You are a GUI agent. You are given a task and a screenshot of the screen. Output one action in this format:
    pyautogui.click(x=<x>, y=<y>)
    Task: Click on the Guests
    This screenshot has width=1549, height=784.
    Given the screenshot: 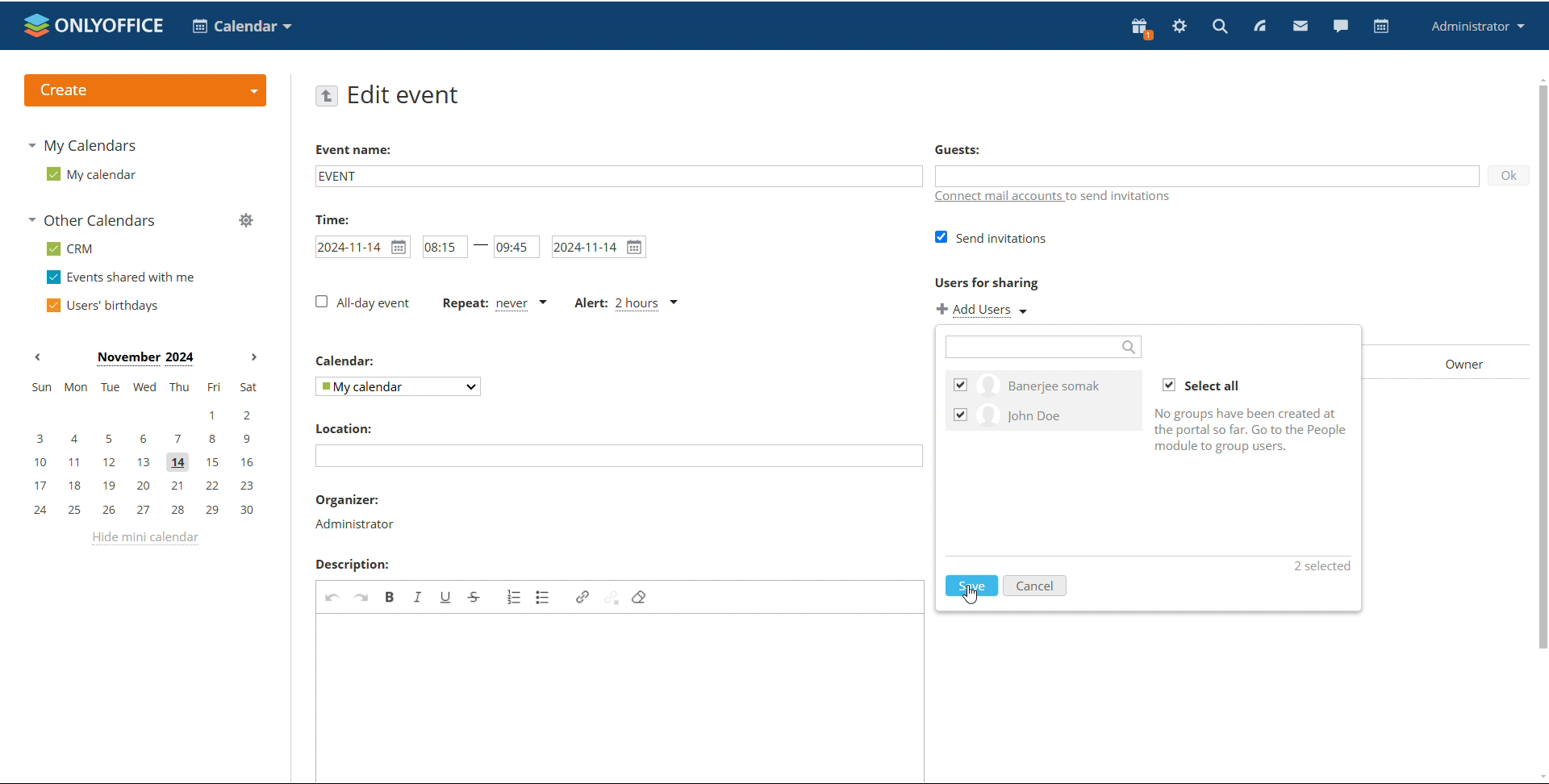 What is the action you would take?
    pyautogui.click(x=960, y=149)
    